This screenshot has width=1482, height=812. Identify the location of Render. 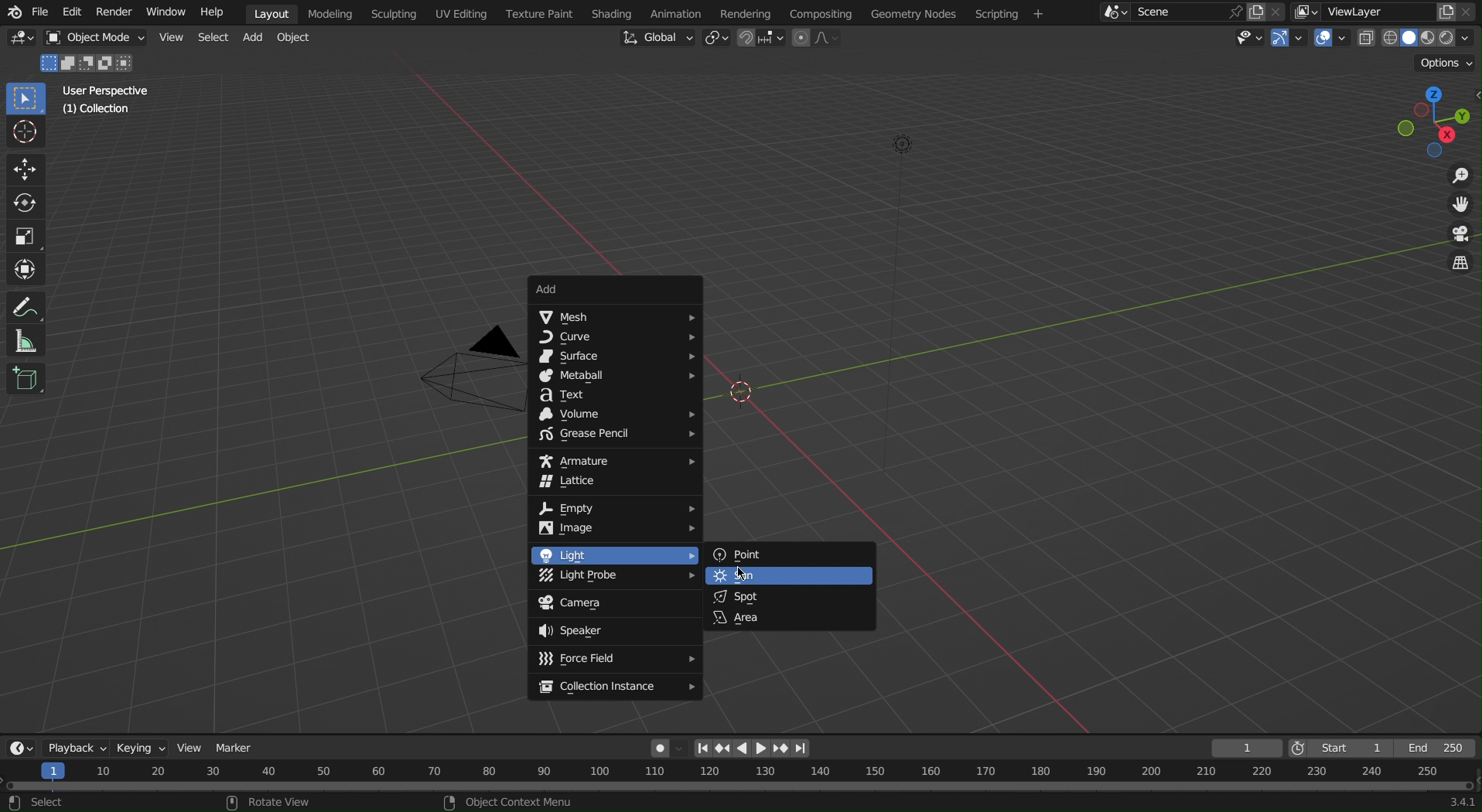
(111, 12).